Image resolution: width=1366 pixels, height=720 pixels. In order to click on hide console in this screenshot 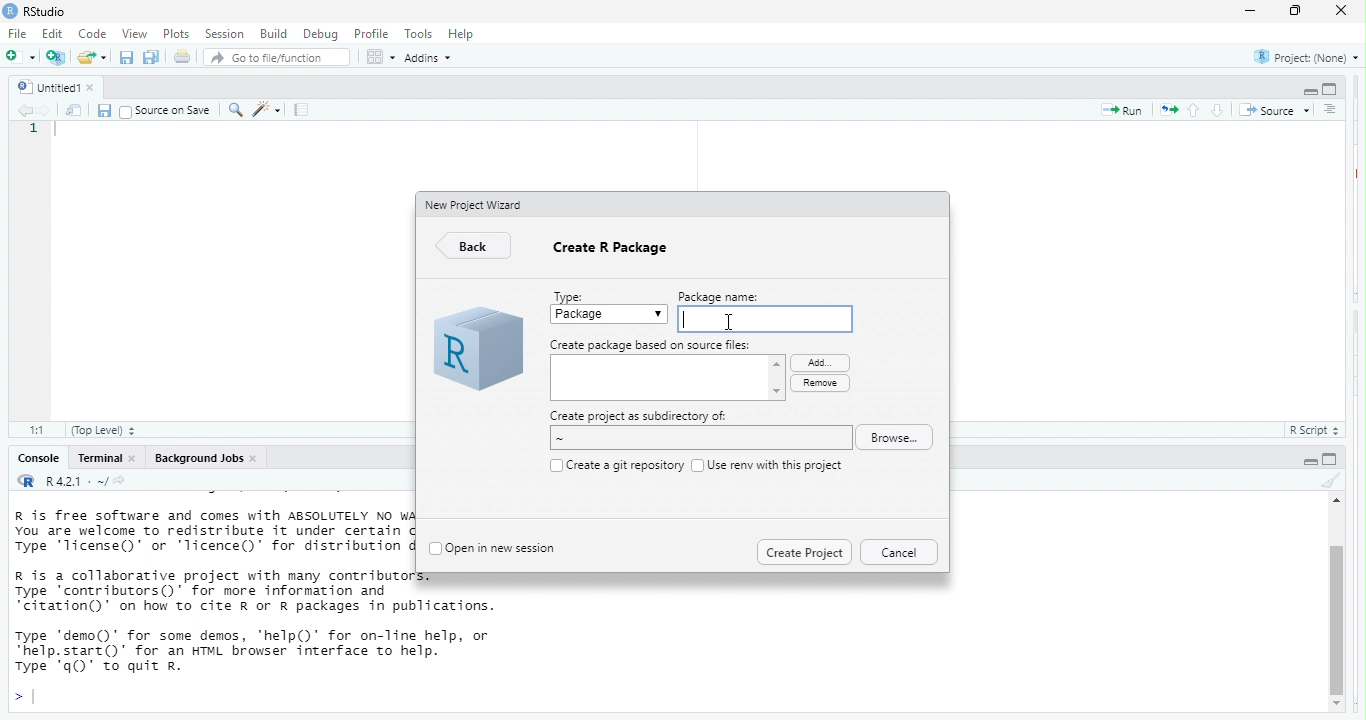, I will do `click(1332, 459)`.